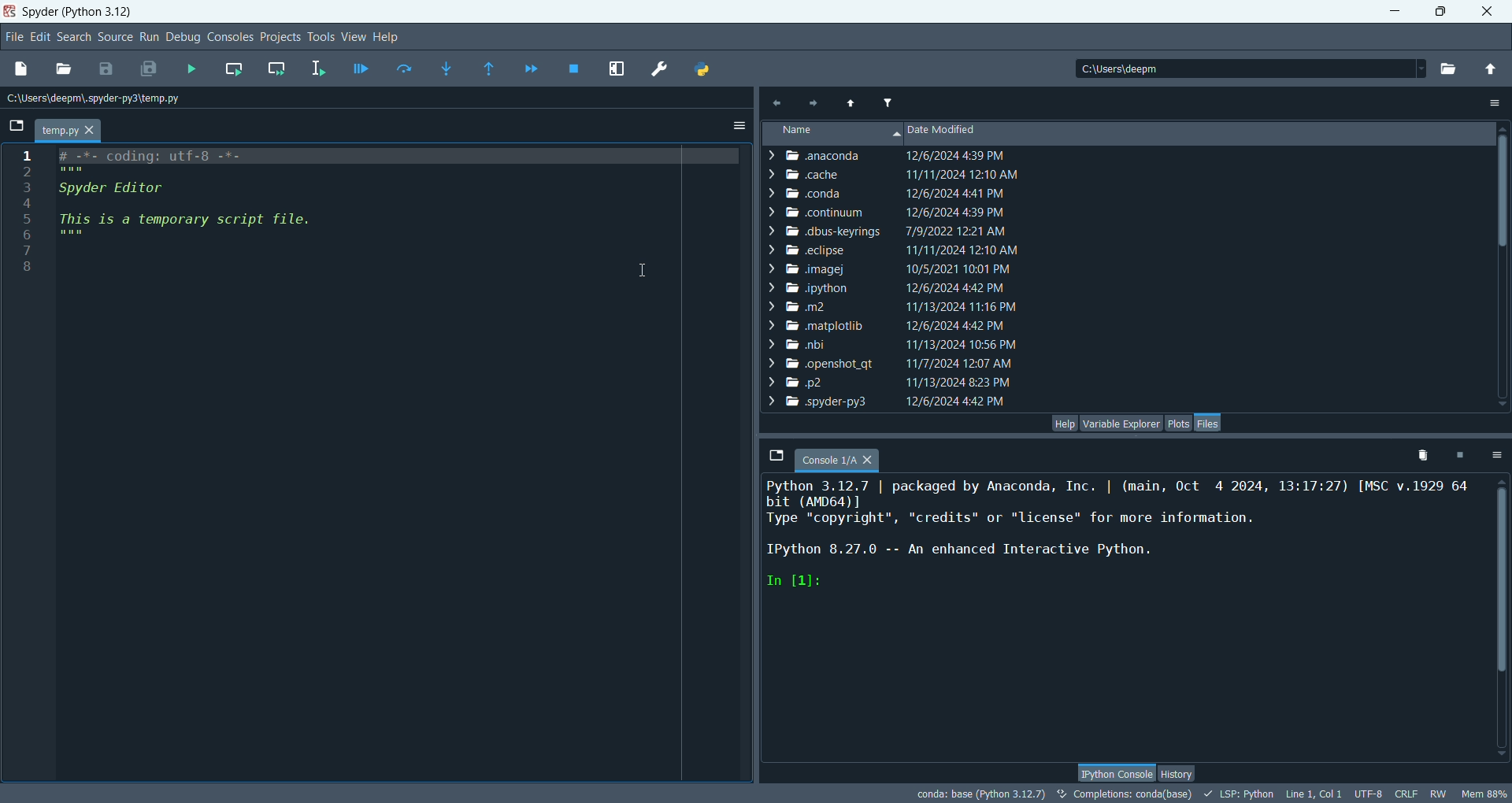 Image resolution: width=1512 pixels, height=803 pixels. What do you see at coordinates (641, 269) in the screenshot?
I see `cursor` at bounding box center [641, 269].